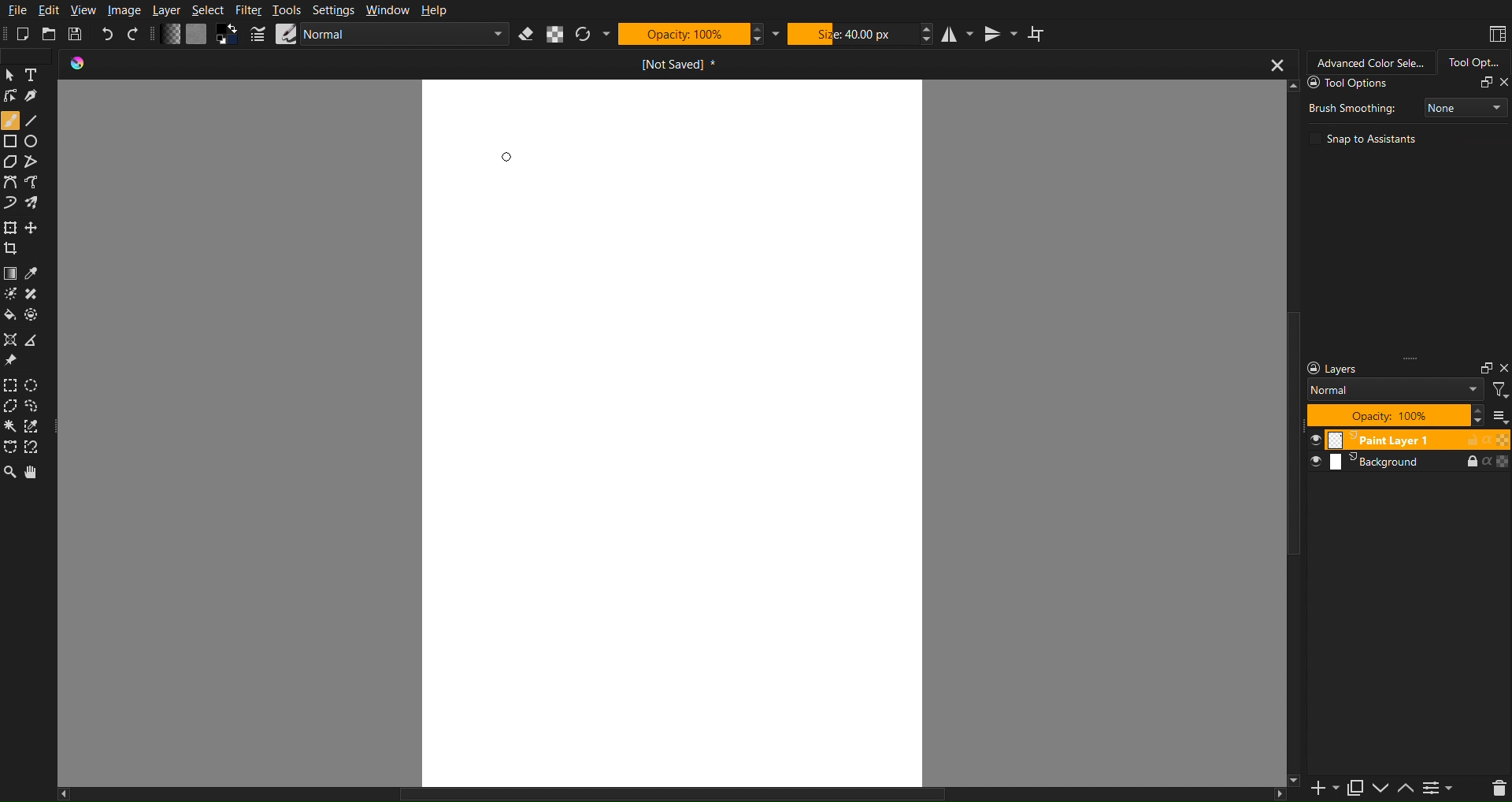  What do you see at coordinates (333, 9) in the screenshot?
I see `Settings` at bounding box center [333, 9].